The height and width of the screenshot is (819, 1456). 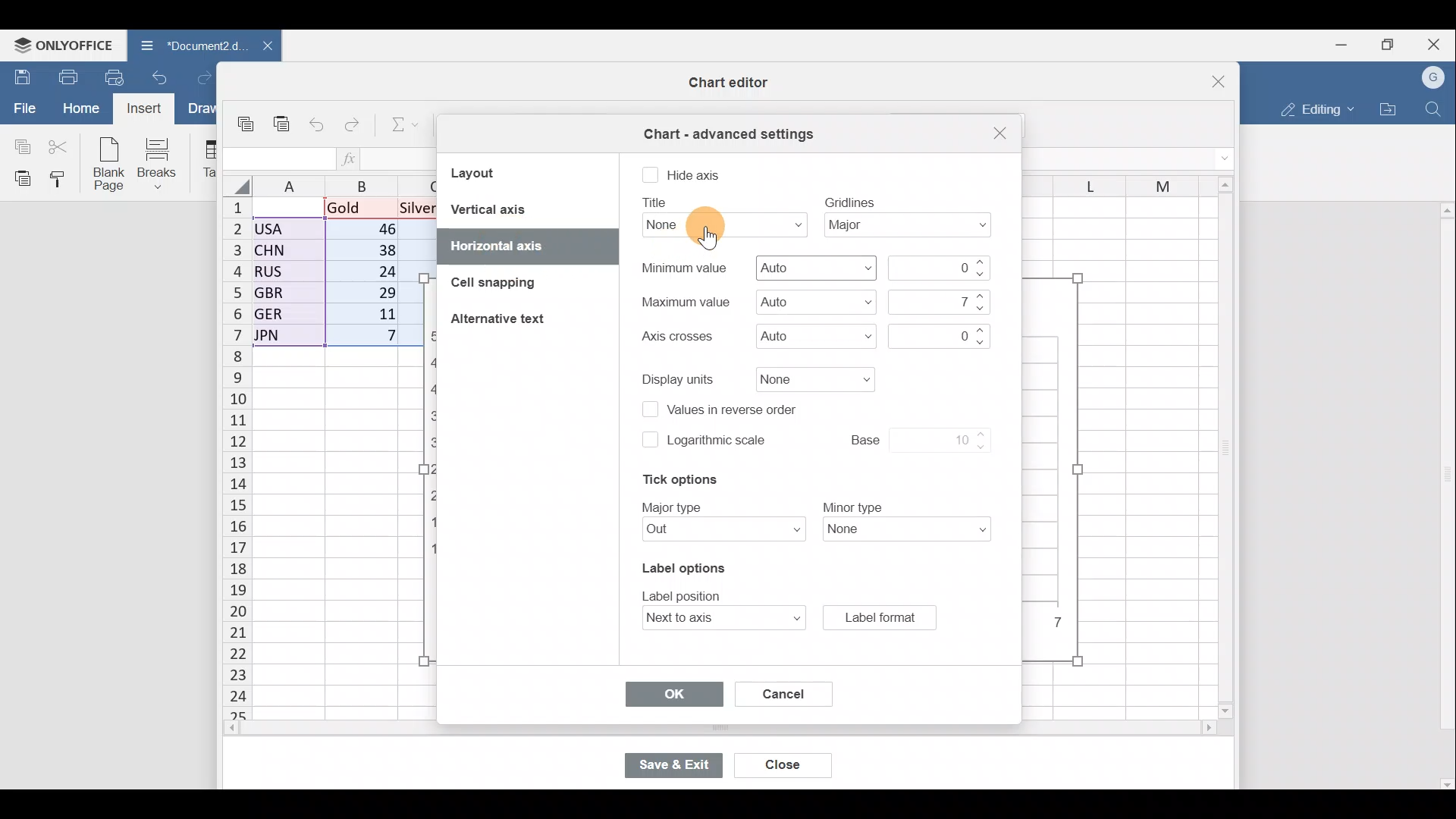 What do you see at coordinates (724, 83) in the screenshot?
I see `Chart editor` at bounding box center [724, 83].